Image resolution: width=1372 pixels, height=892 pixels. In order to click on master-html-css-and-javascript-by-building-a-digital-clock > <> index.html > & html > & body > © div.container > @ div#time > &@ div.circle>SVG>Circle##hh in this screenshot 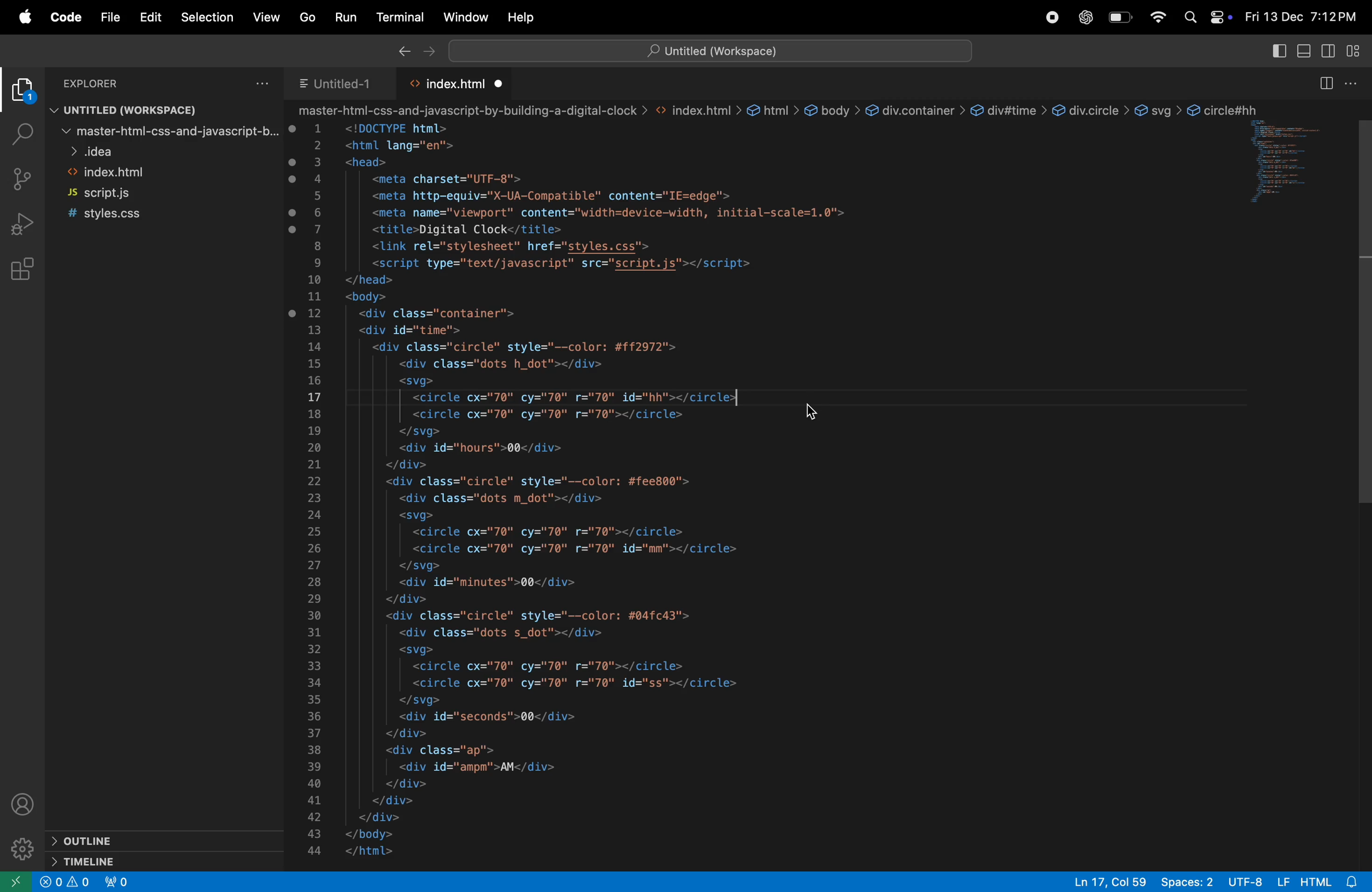, I will do `click(777, 110)`.